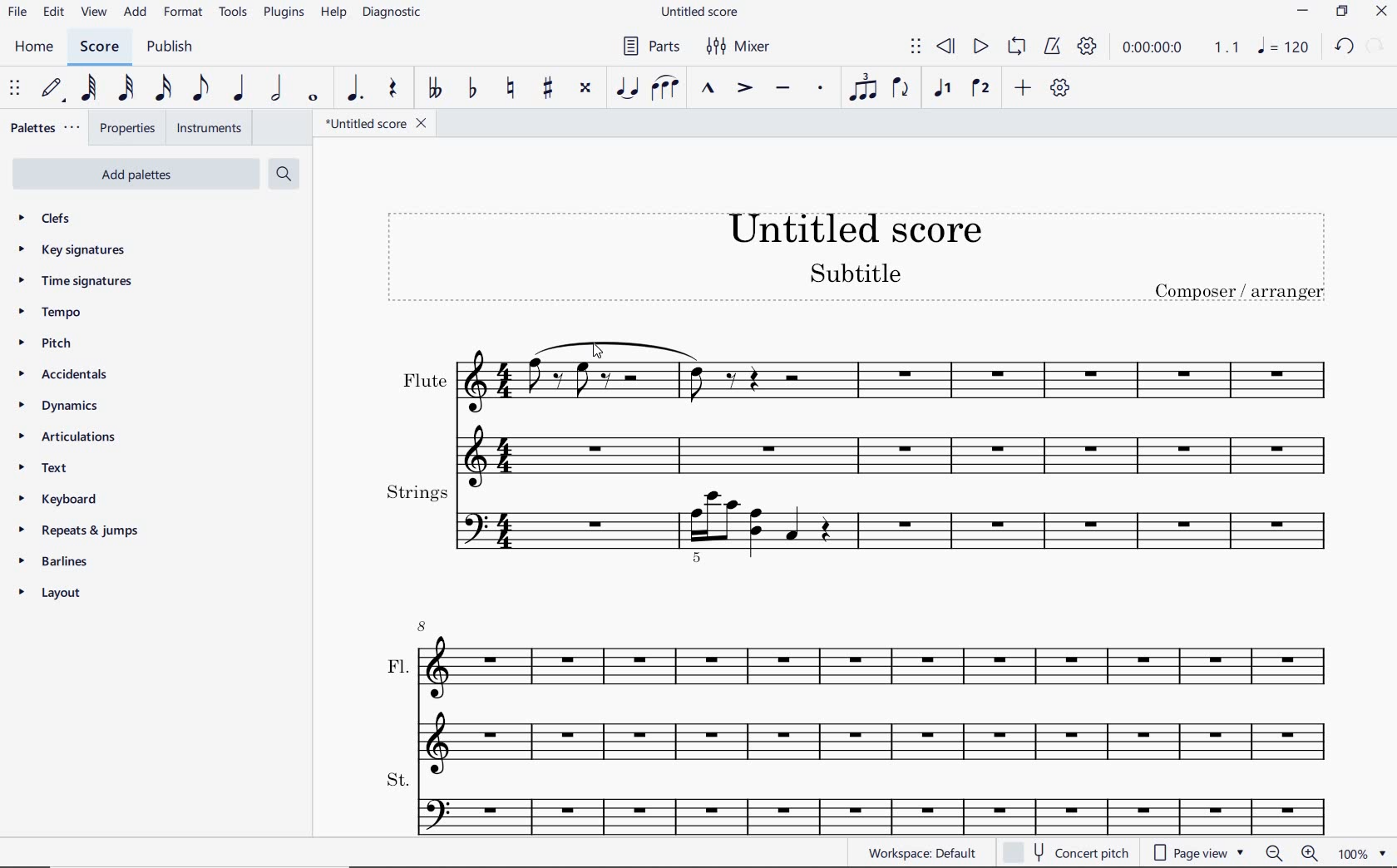 The image size is (1397, 868). What do you see at coordinates (52, 313) in the screenshot?
I see `tempo` at bounding box center [52, 313].